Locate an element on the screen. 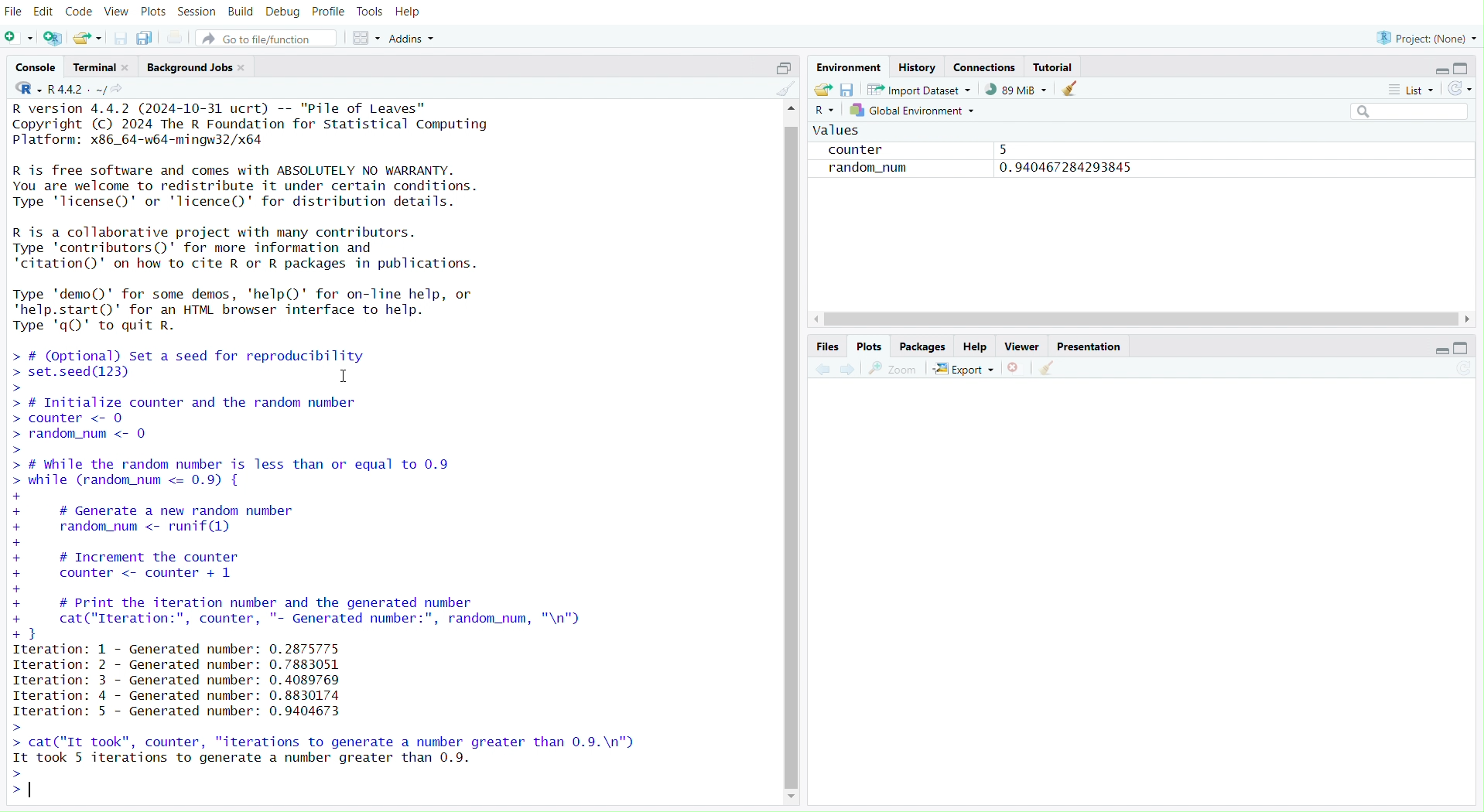 This screenshot has width=1484, height=812. Go forward to the next source location (Ctrl + F10) is located at coordinates (850, 367).